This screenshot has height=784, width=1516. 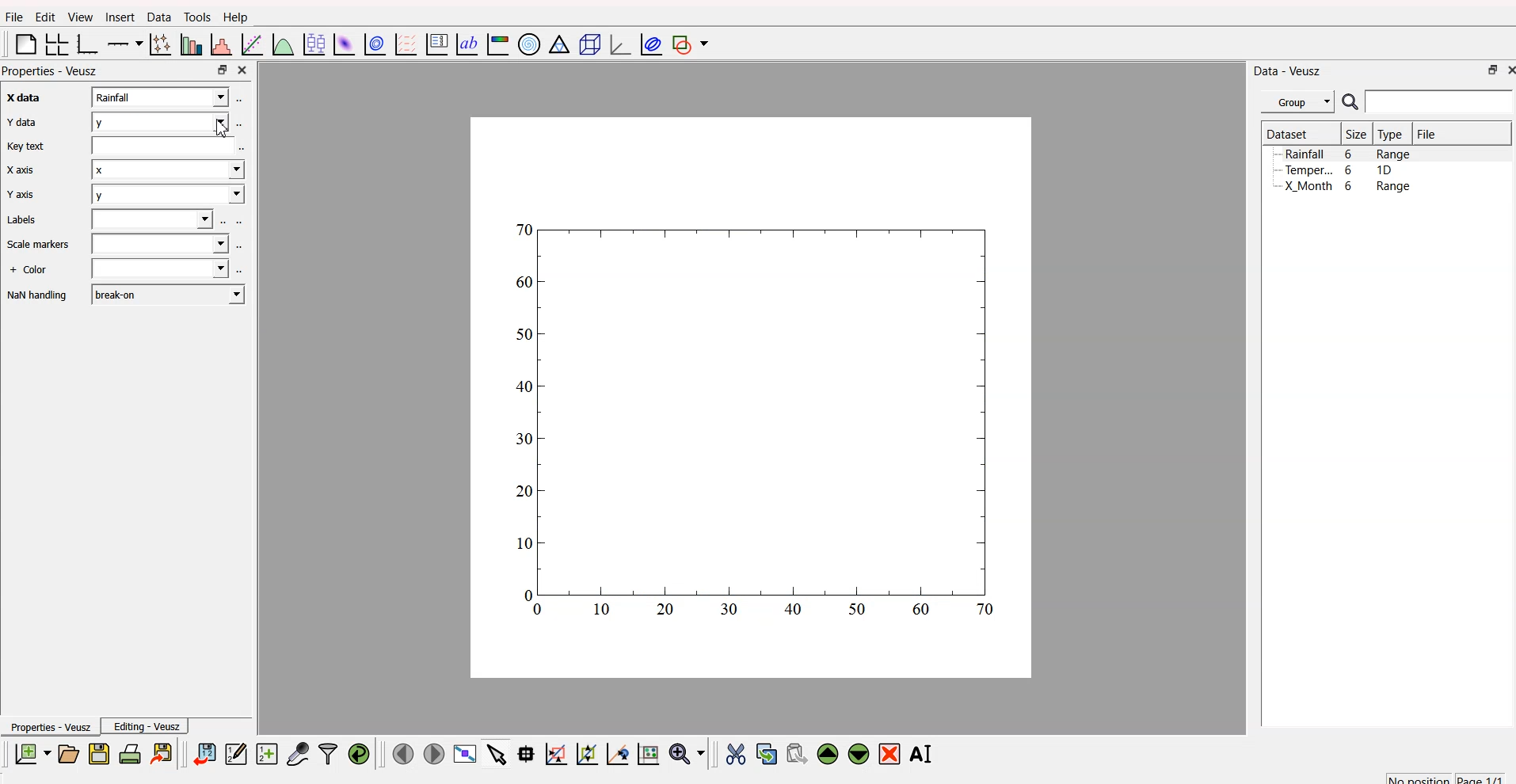 I want to click on Temper... 6 1D, so click(x=1338, y=169).